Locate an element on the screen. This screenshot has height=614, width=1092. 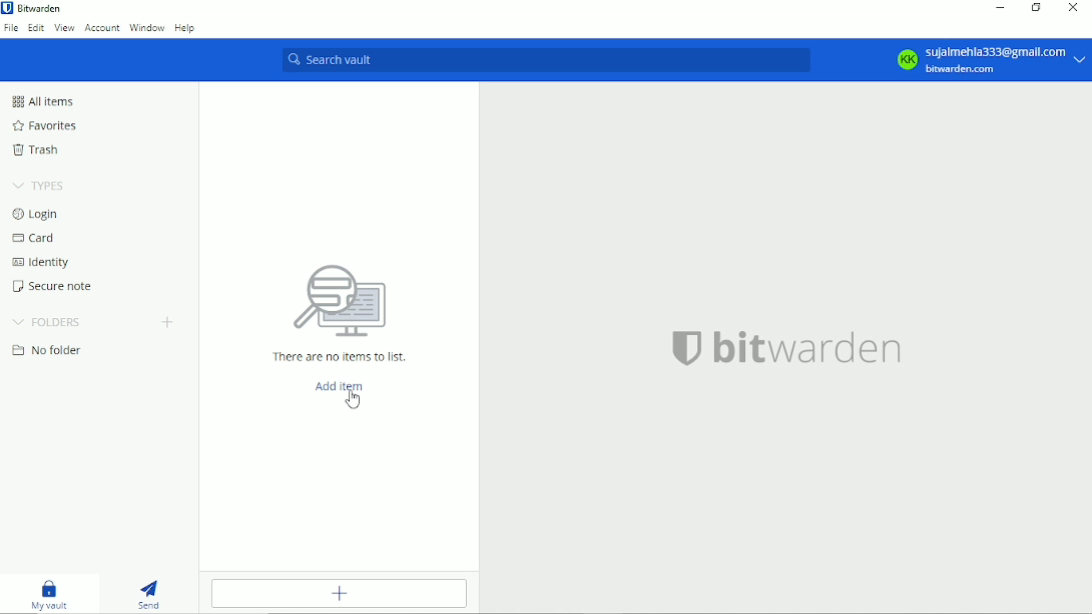
Bitwarden is located at coordinates (35, 8).